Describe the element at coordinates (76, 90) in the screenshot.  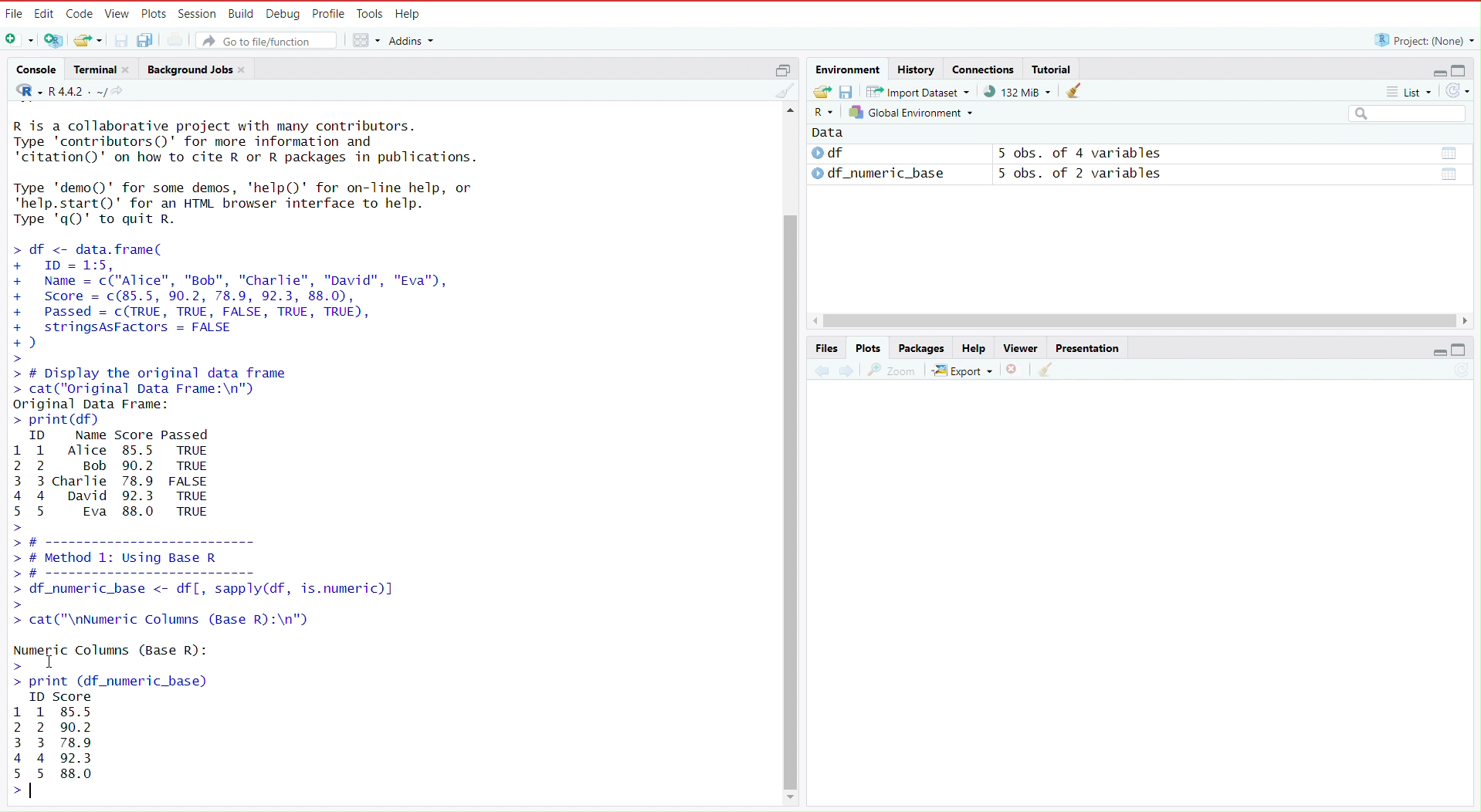
I see `R 4.4.2 . ~/` at that location.